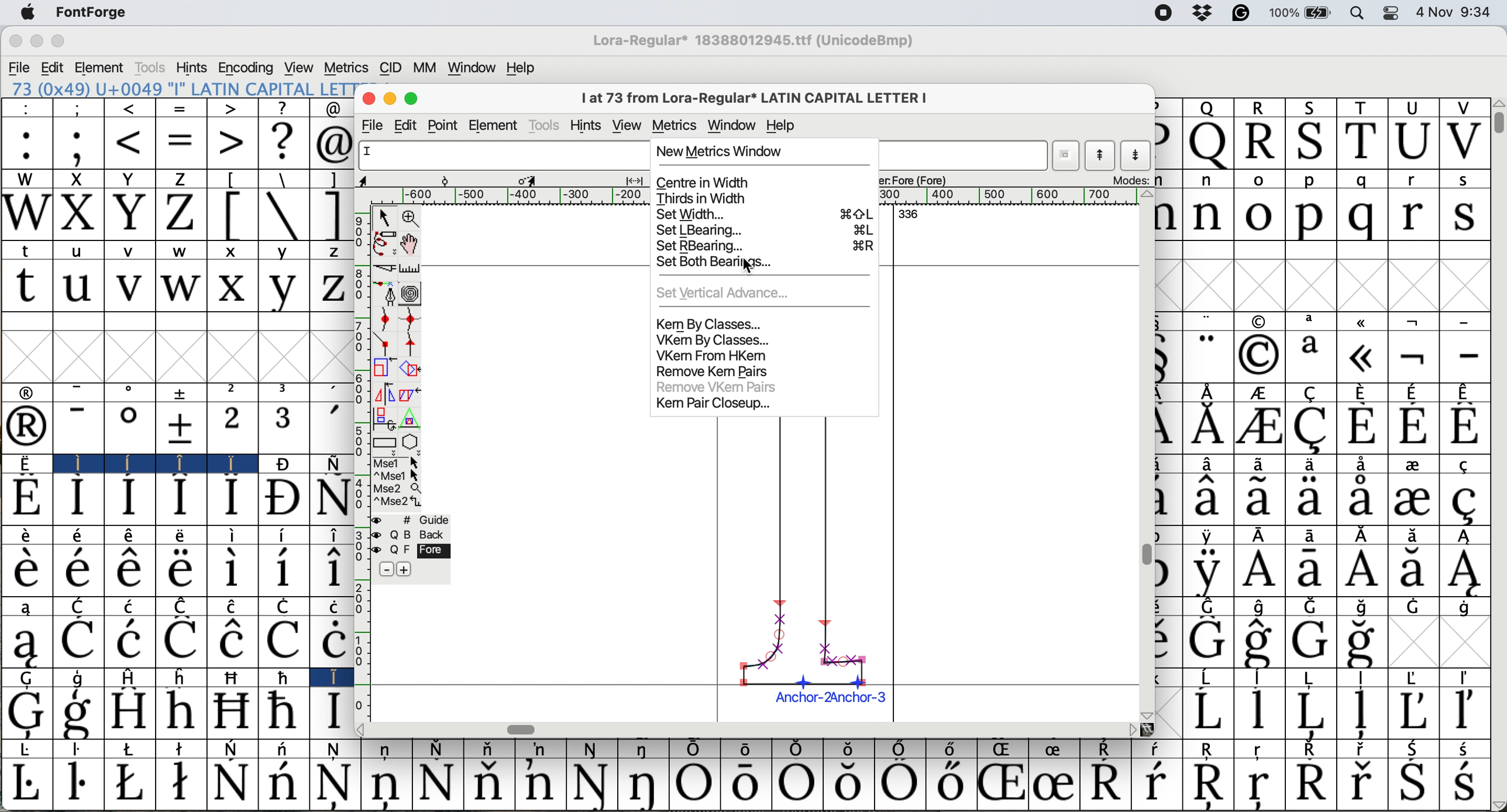 The image size is (1507, 812). Describe the element at coordinates (283, 142) in the screenshot. I see `?` at that location.